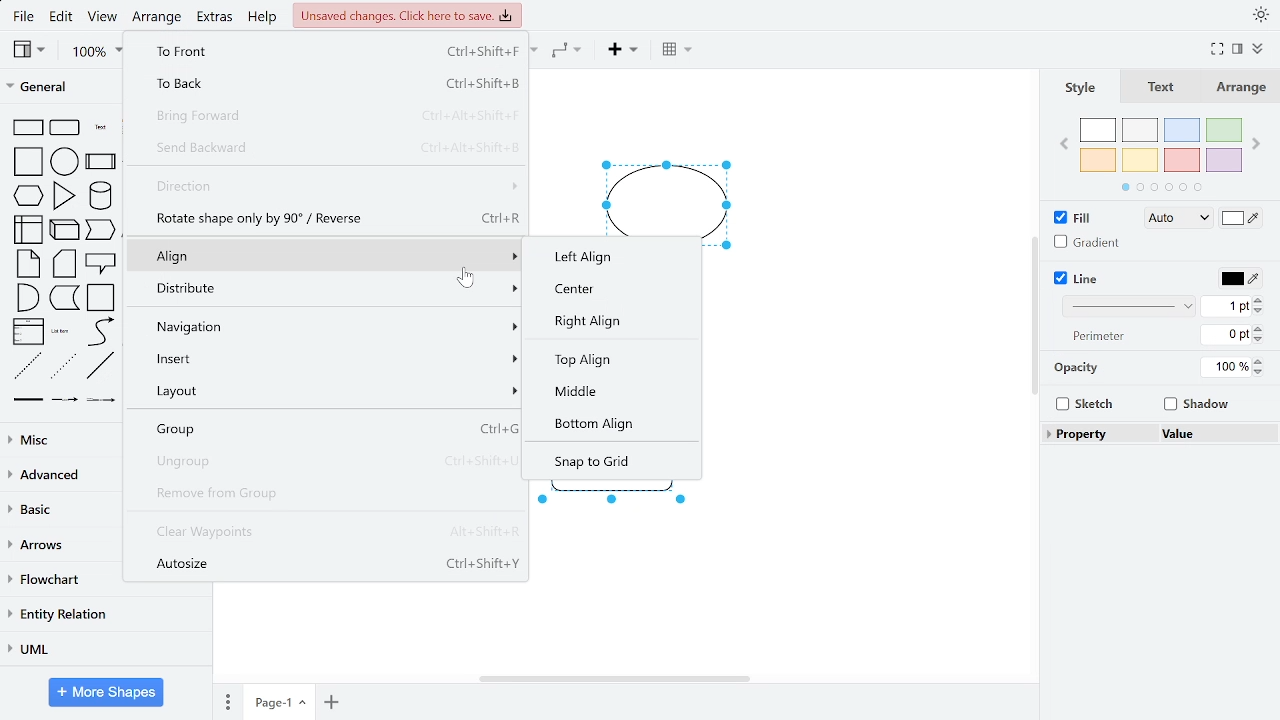 Image resolution: width=1280 pixels, height=720 pixels. Describe the element at coordinates (101, 404) in the screenshot. I see `Connector with 2 label` at that location.